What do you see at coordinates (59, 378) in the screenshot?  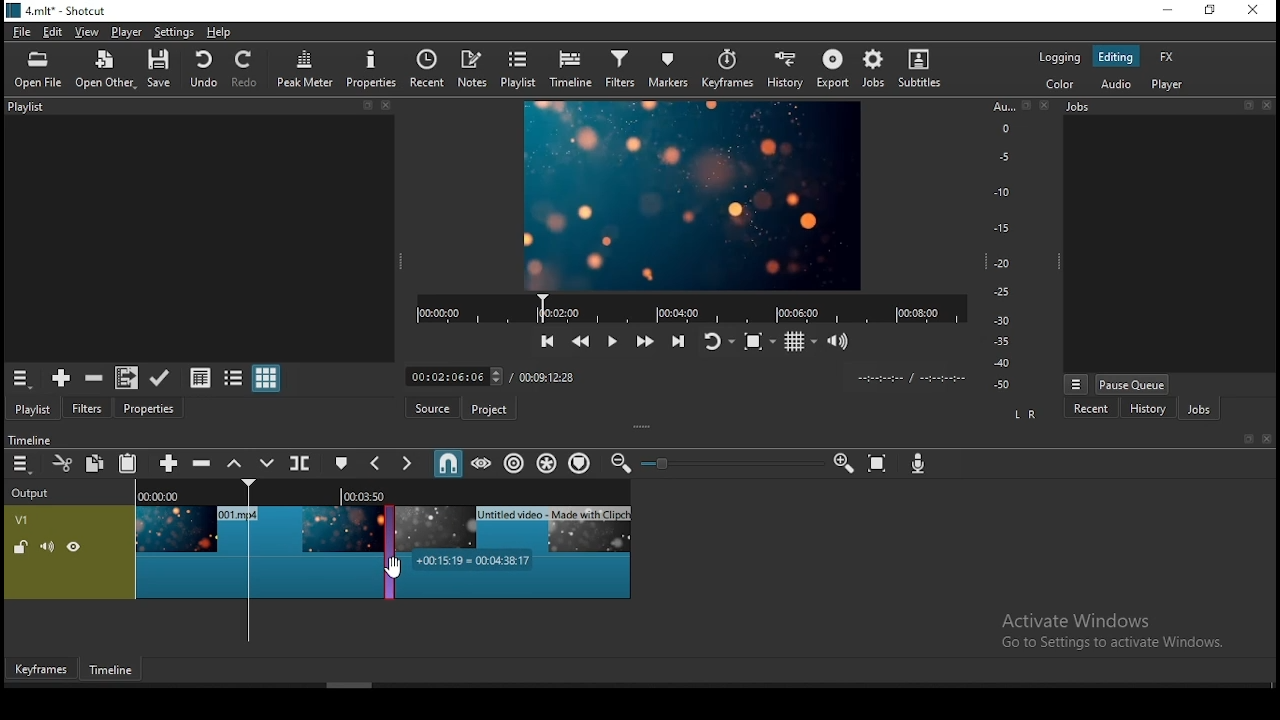 I see `add the source to the playlist` at bounding box center [59, 378].